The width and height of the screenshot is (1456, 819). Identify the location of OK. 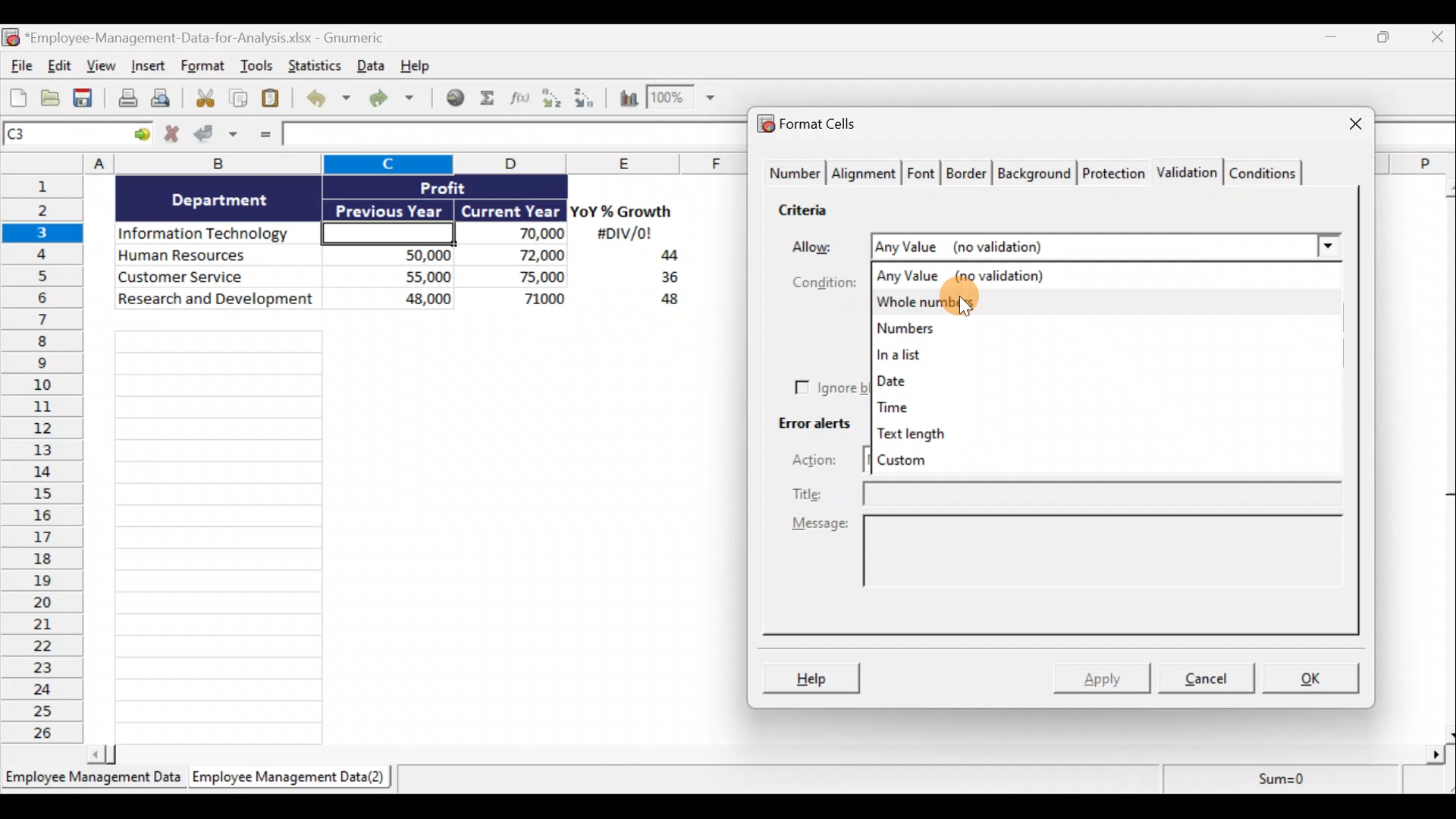
(1312, 676).